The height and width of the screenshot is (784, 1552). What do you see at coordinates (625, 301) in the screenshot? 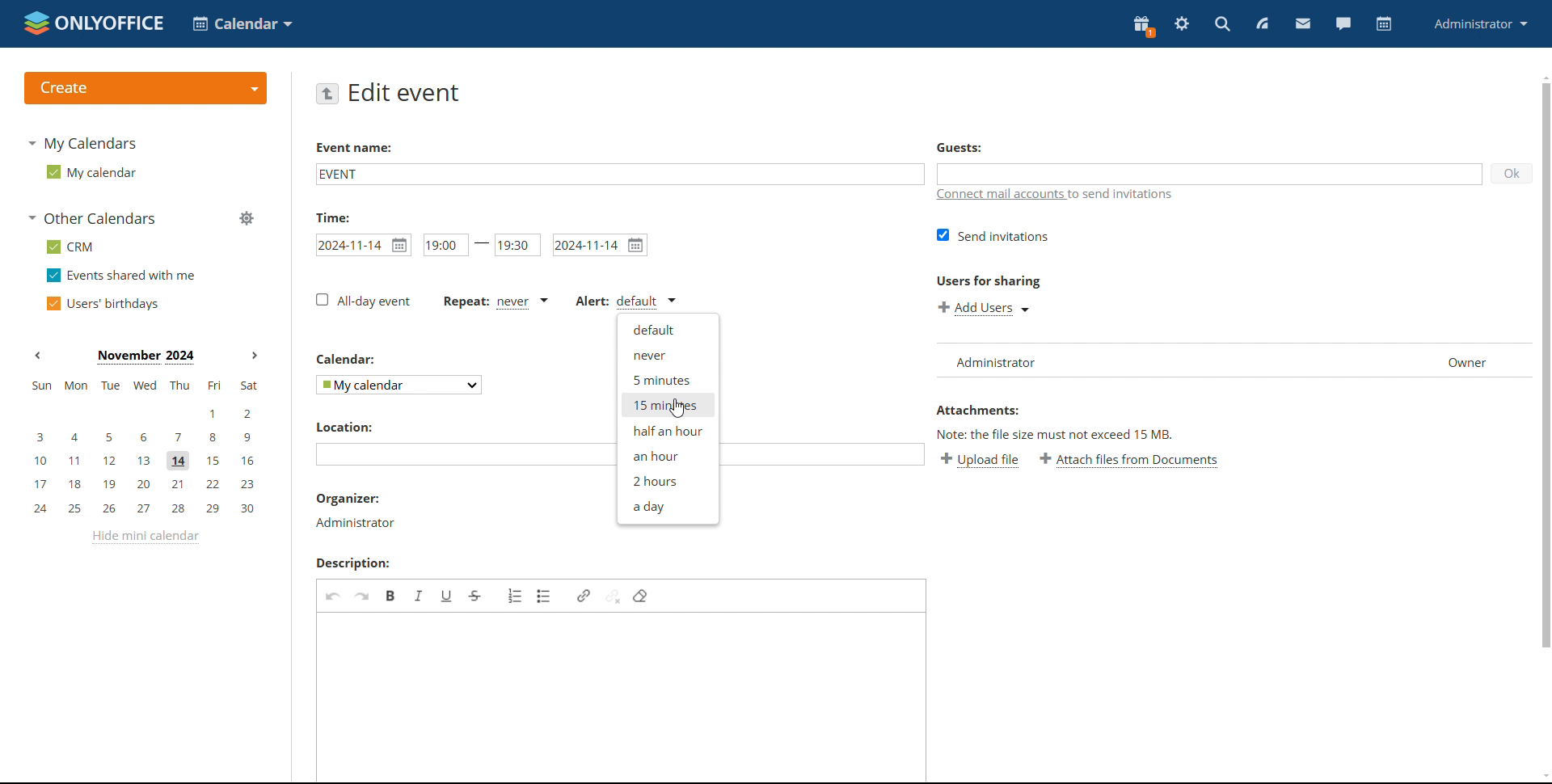
I see `alert type` at bounding box center [625, 301].